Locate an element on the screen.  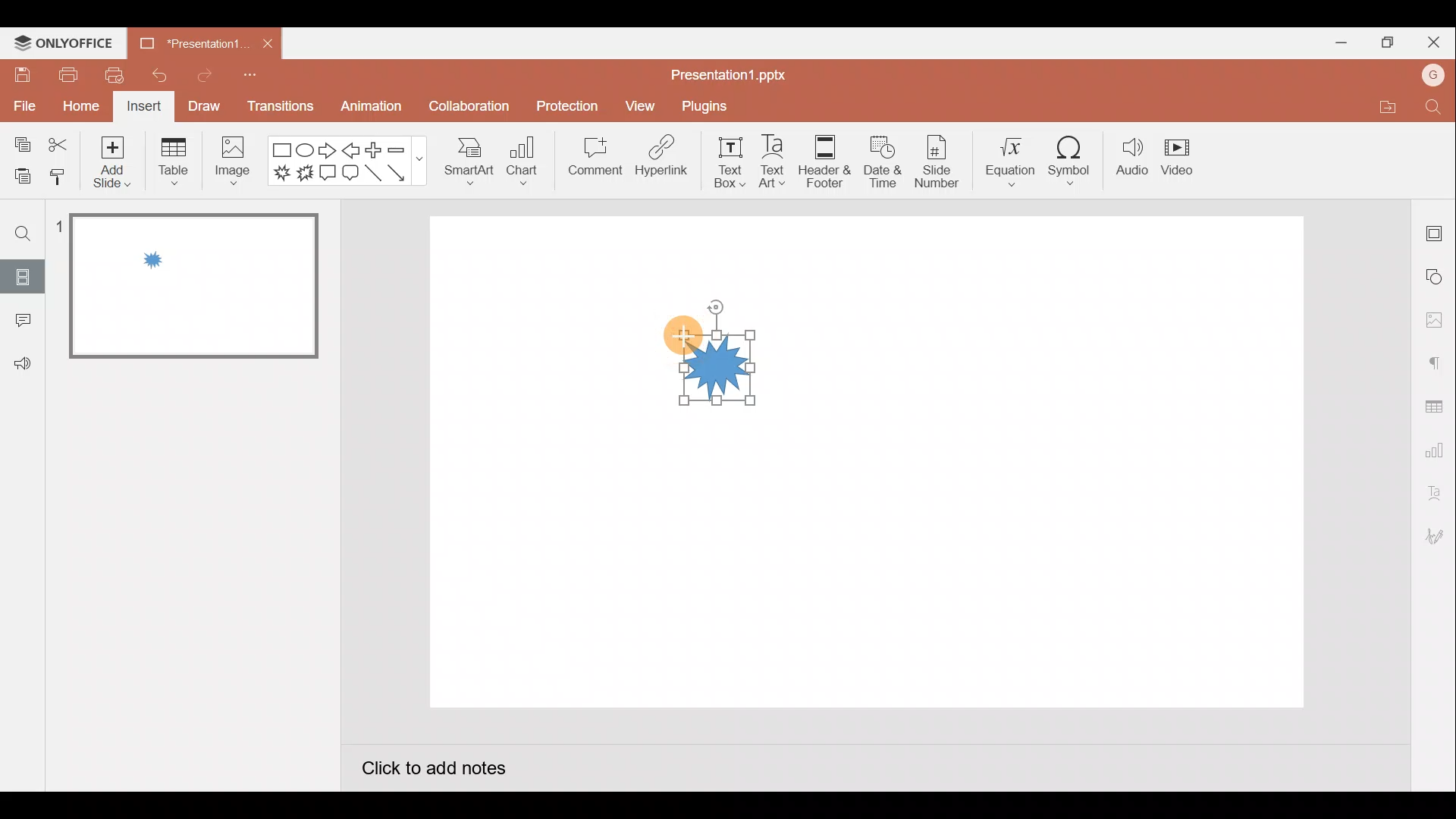
Slide settings is located at coordinates (1436, 229).